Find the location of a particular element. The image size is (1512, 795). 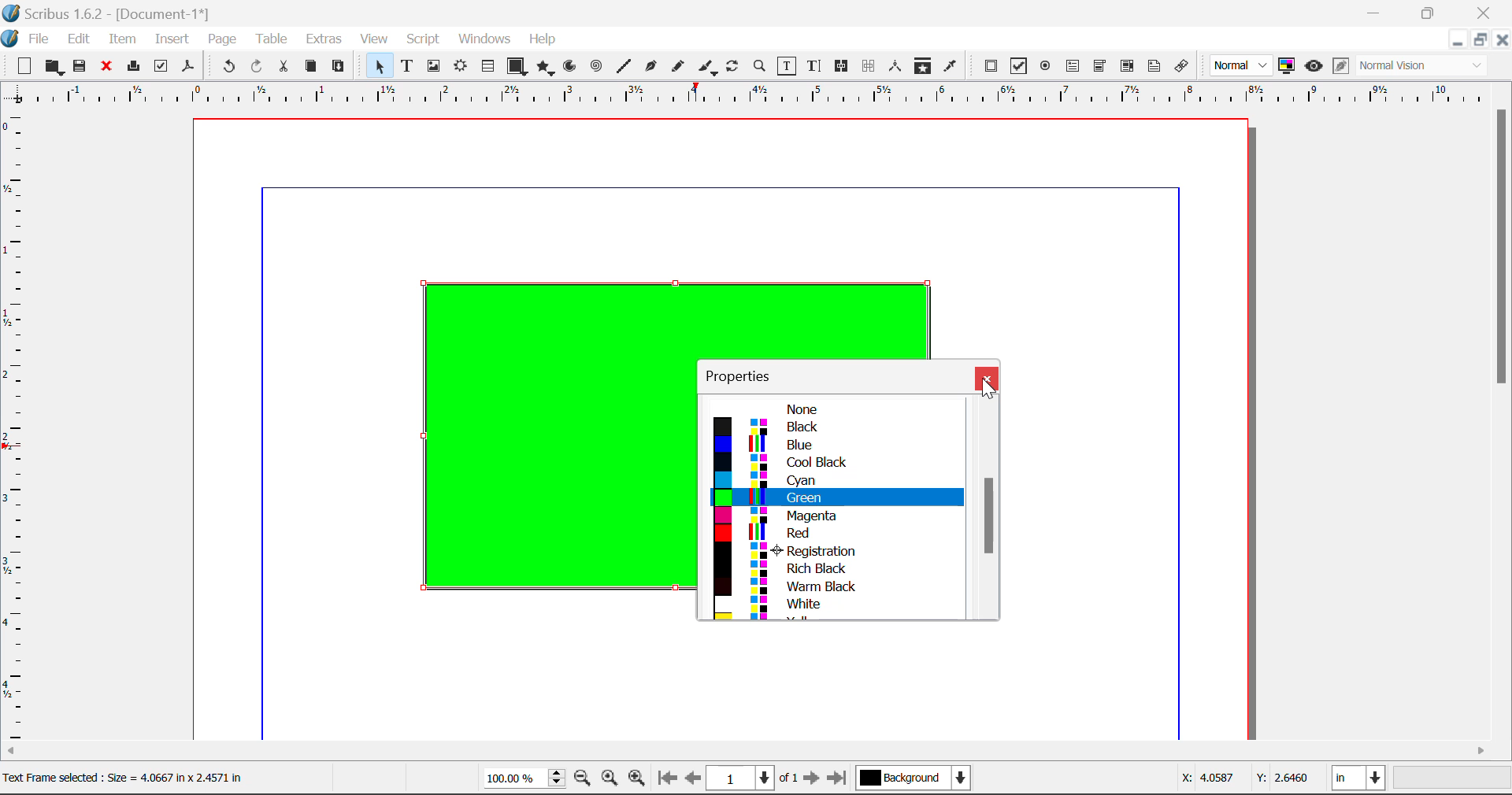

Help is located at coordinates (543, 39).